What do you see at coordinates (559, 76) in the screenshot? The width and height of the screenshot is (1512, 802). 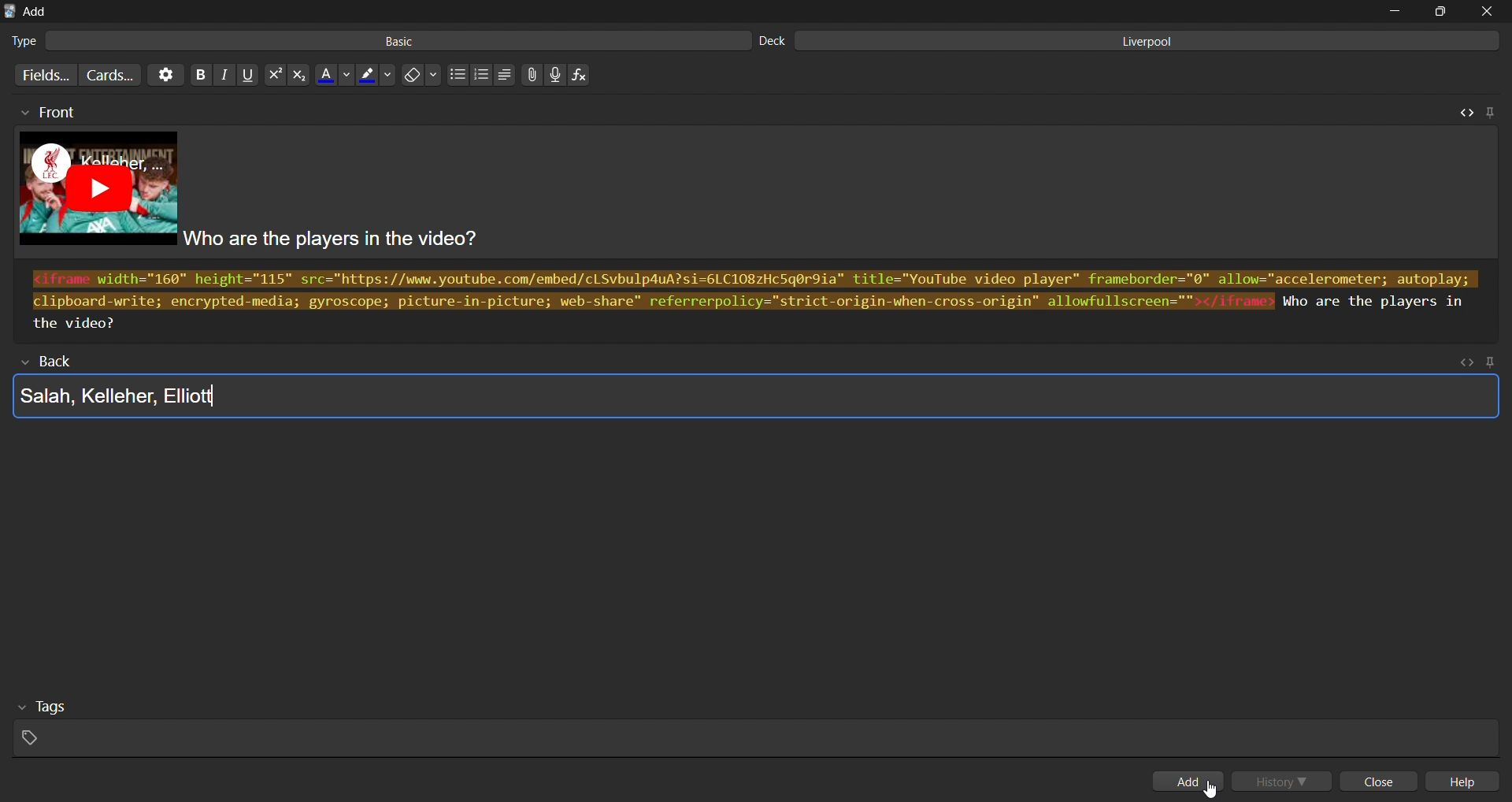 I see `record audio` at bounding box center [559, 76].